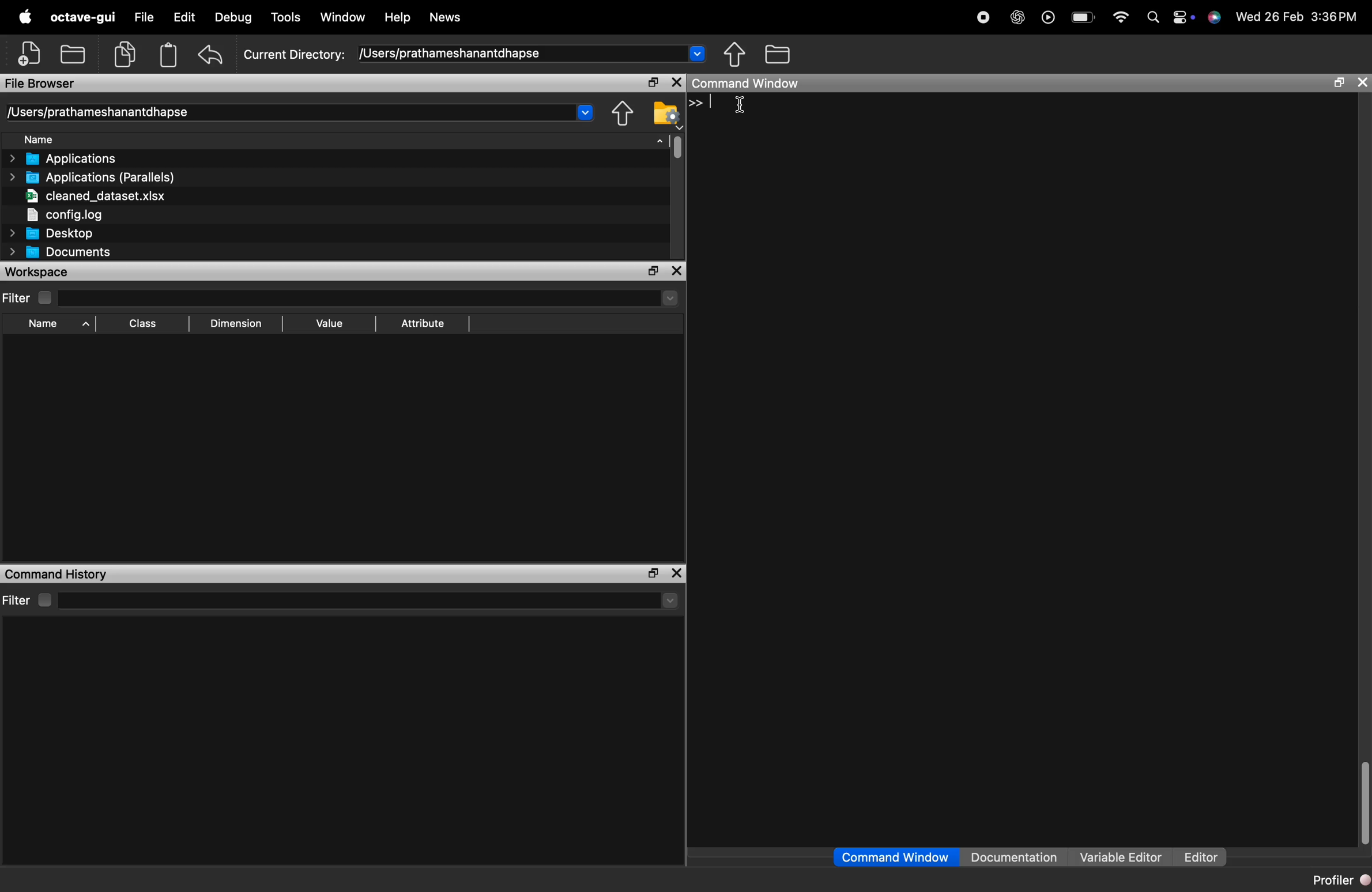  Describe the element at coordinates (315, 271) in the screenshot. I see `workspace` at that location.